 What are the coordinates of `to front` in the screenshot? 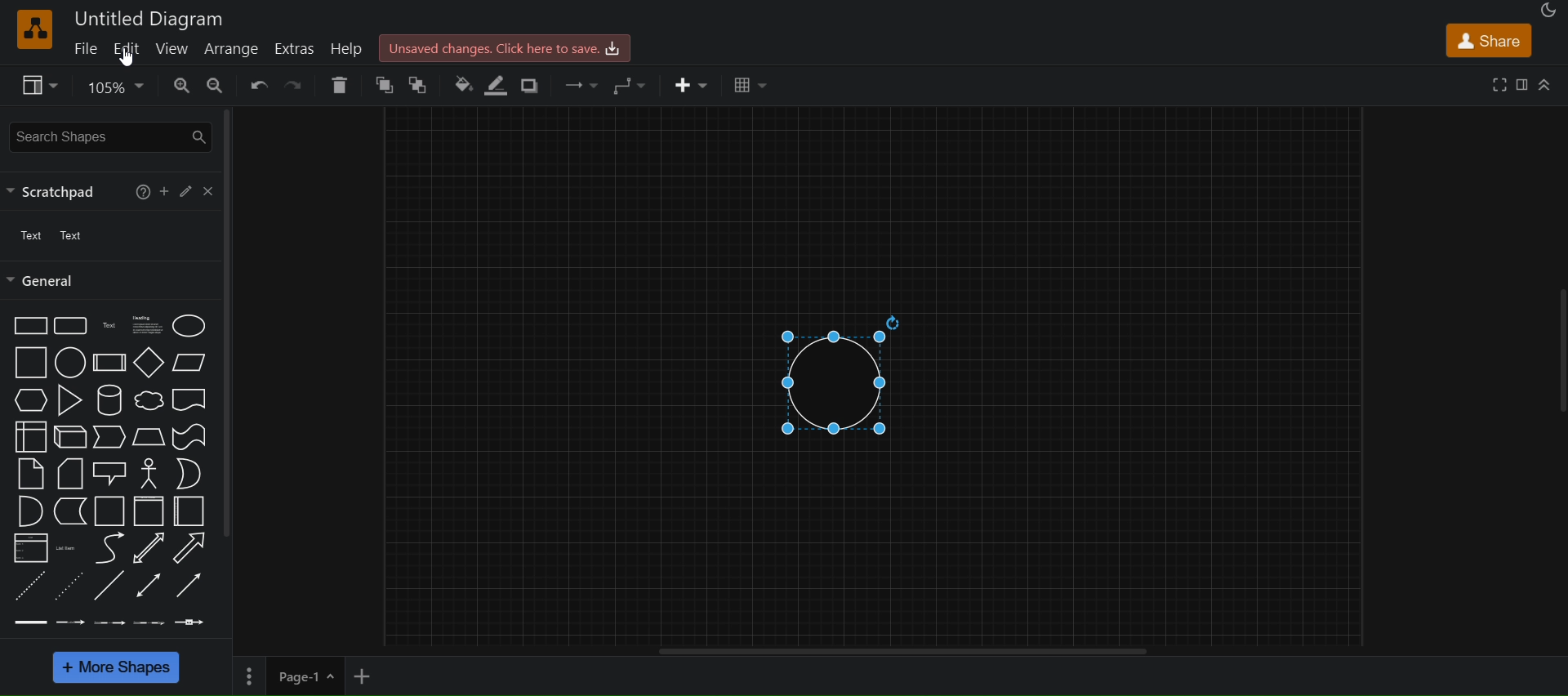 It's located at (383, 84).